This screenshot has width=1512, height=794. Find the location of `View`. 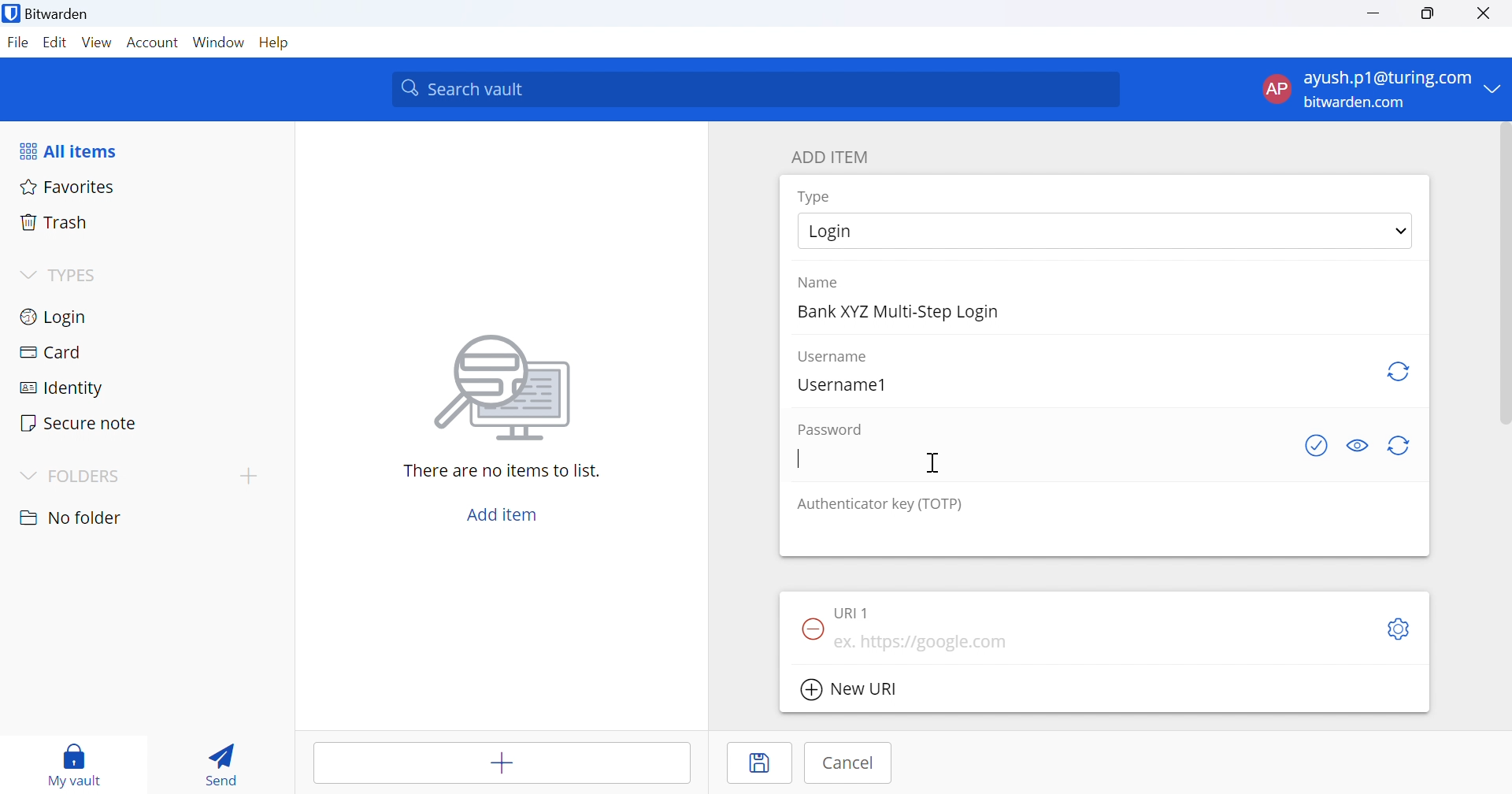

View is located at coordinates (96, 42).